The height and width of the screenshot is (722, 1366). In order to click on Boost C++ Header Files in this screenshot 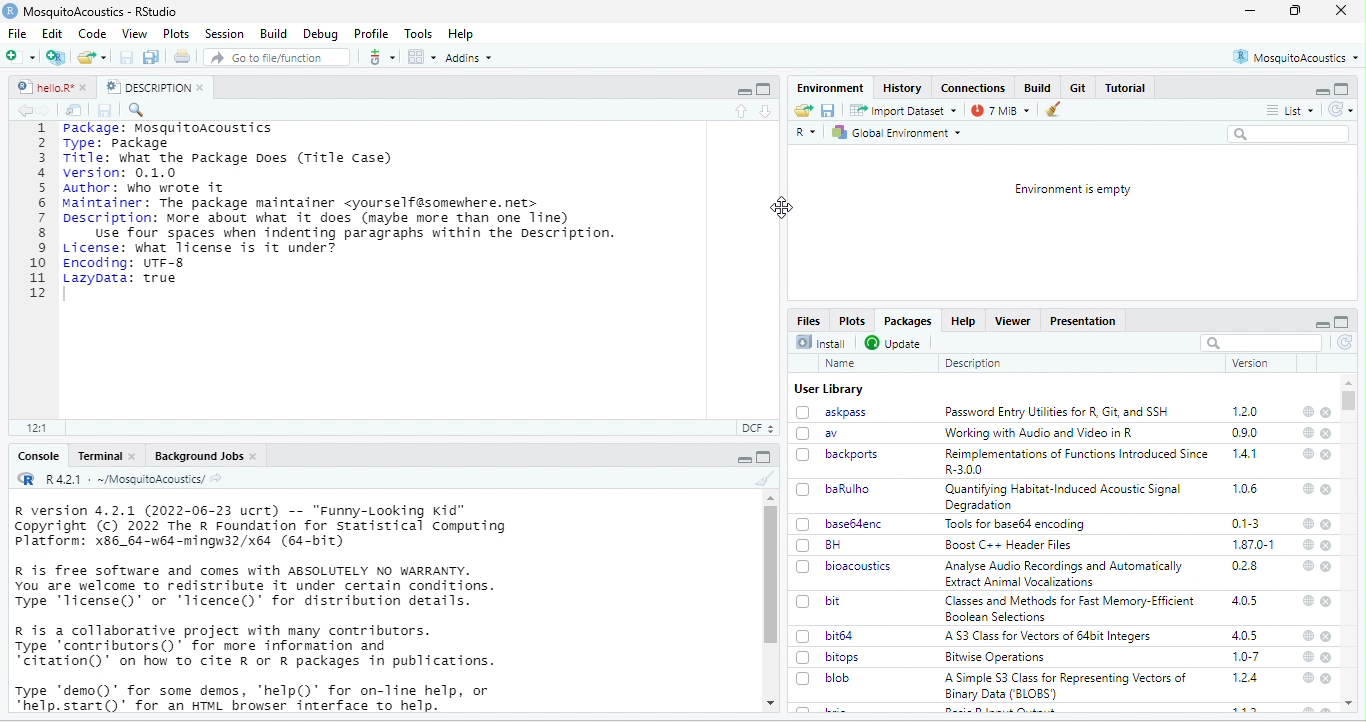, I will do `click(1010, 545)`.